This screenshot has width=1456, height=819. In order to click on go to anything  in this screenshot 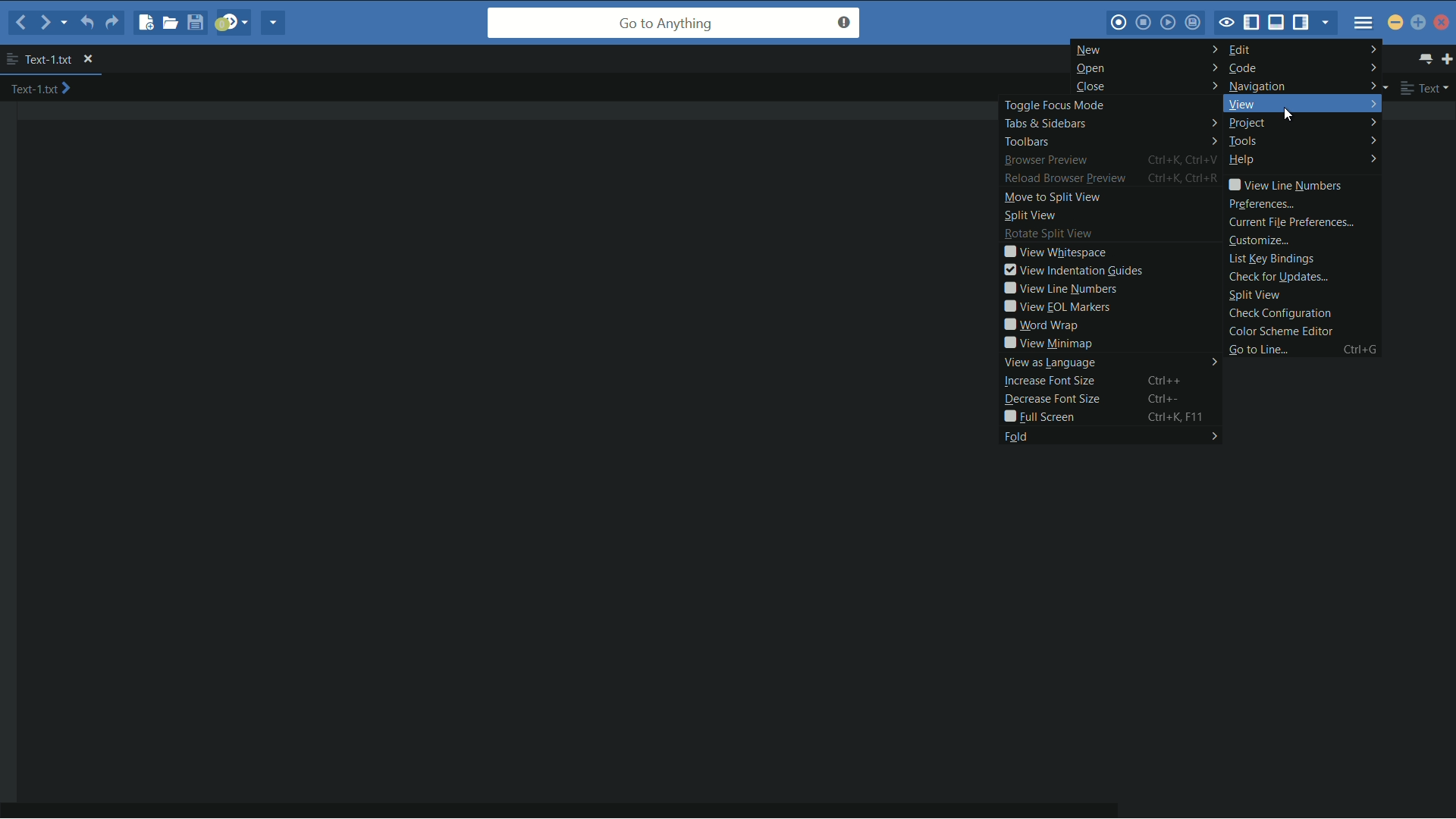, I will do `click(674, 24)`.